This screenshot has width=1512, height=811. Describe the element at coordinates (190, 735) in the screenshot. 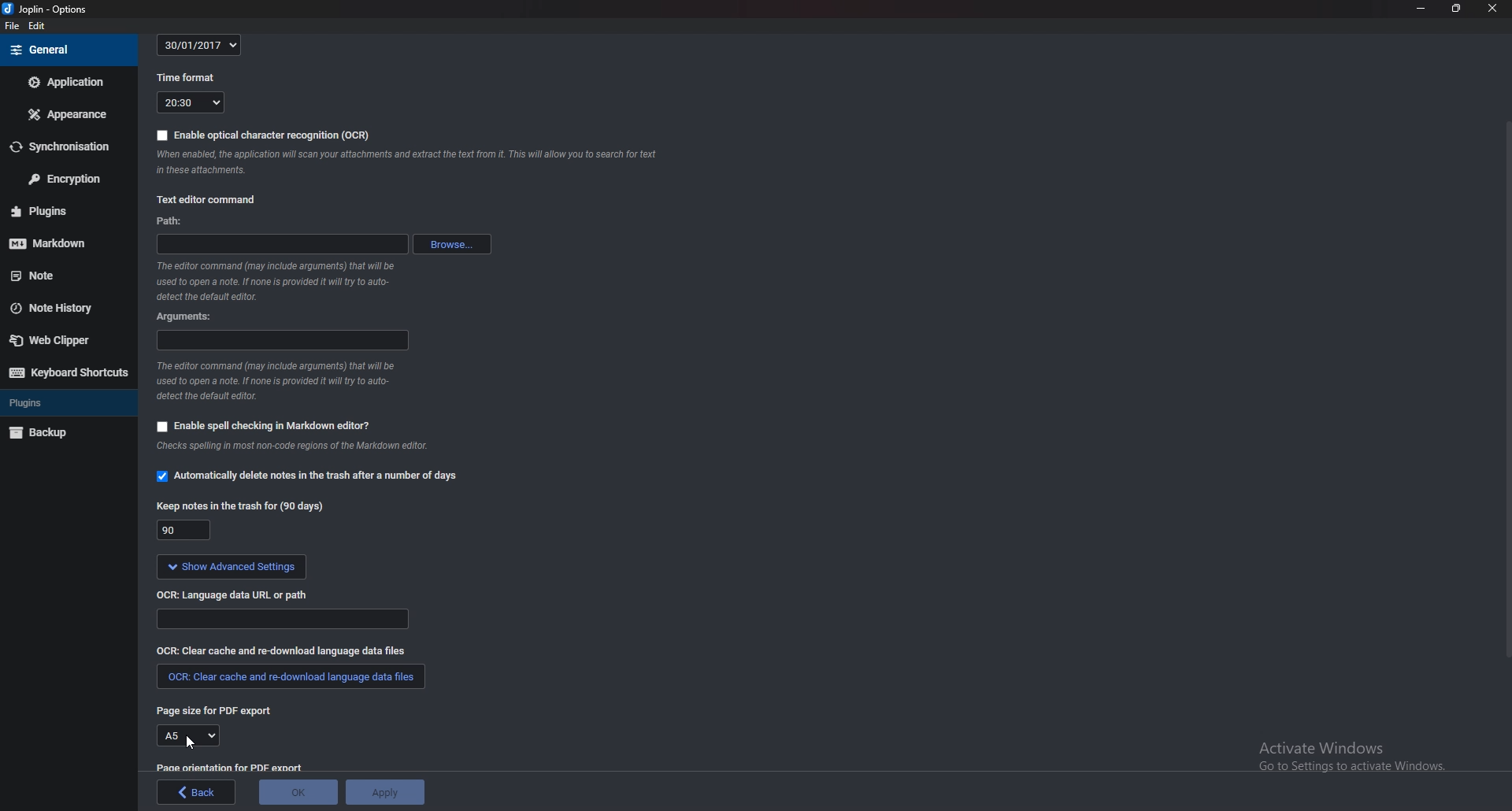

I see `A5` at that location.